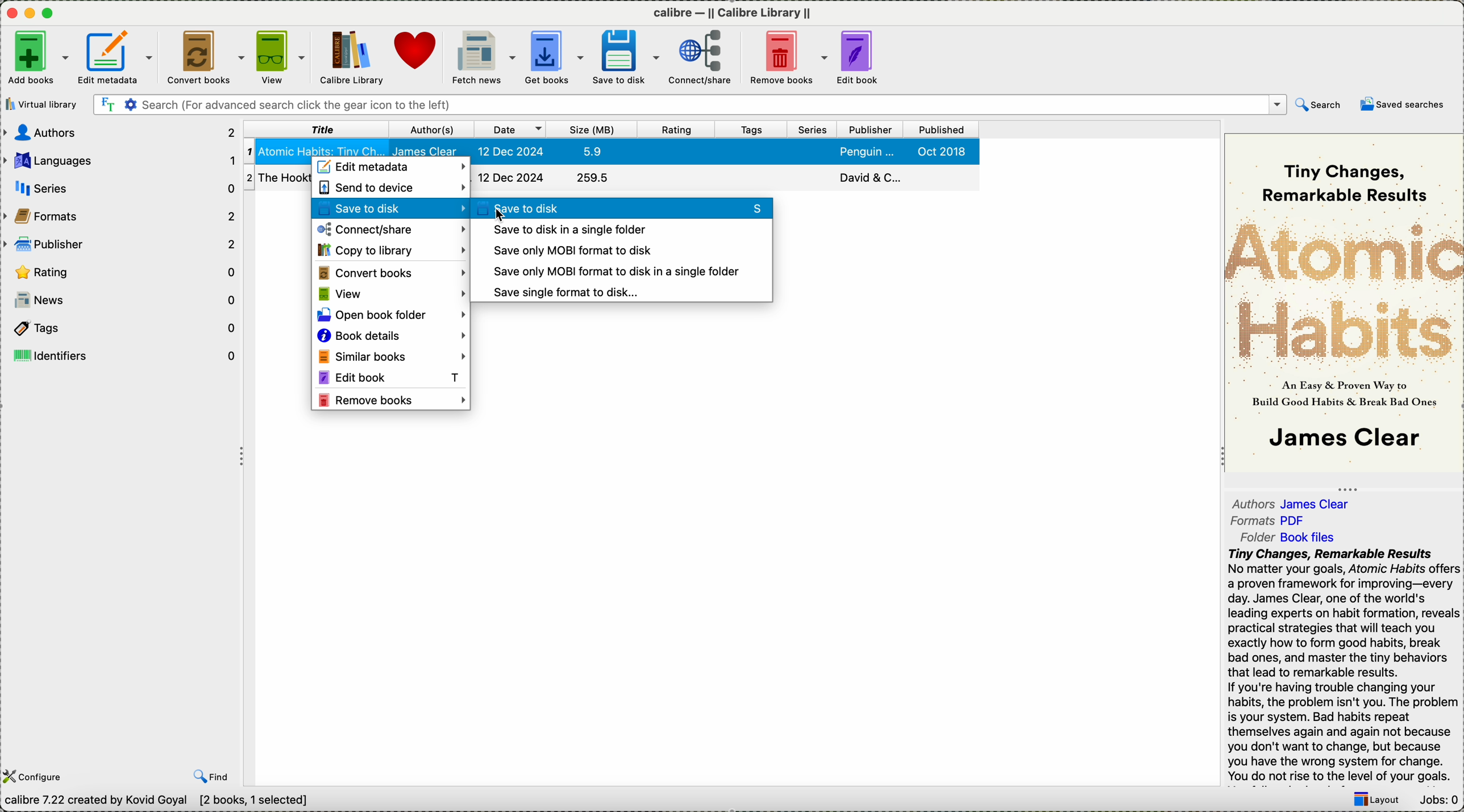 The image size is (1464, 812). I want to click on publisher, so click(870, 130).